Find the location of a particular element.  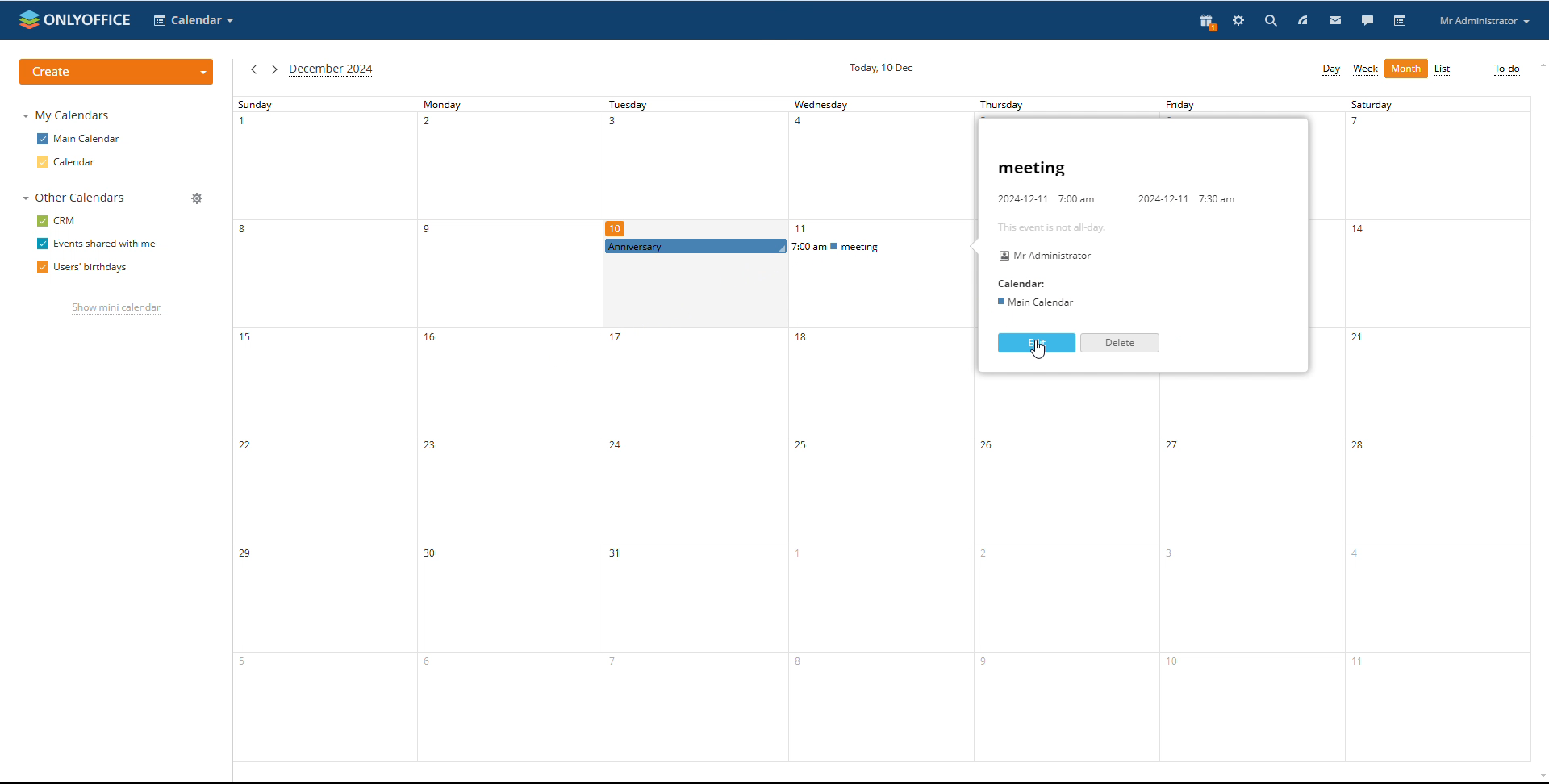

week view is located at coordinates (1366, 69).